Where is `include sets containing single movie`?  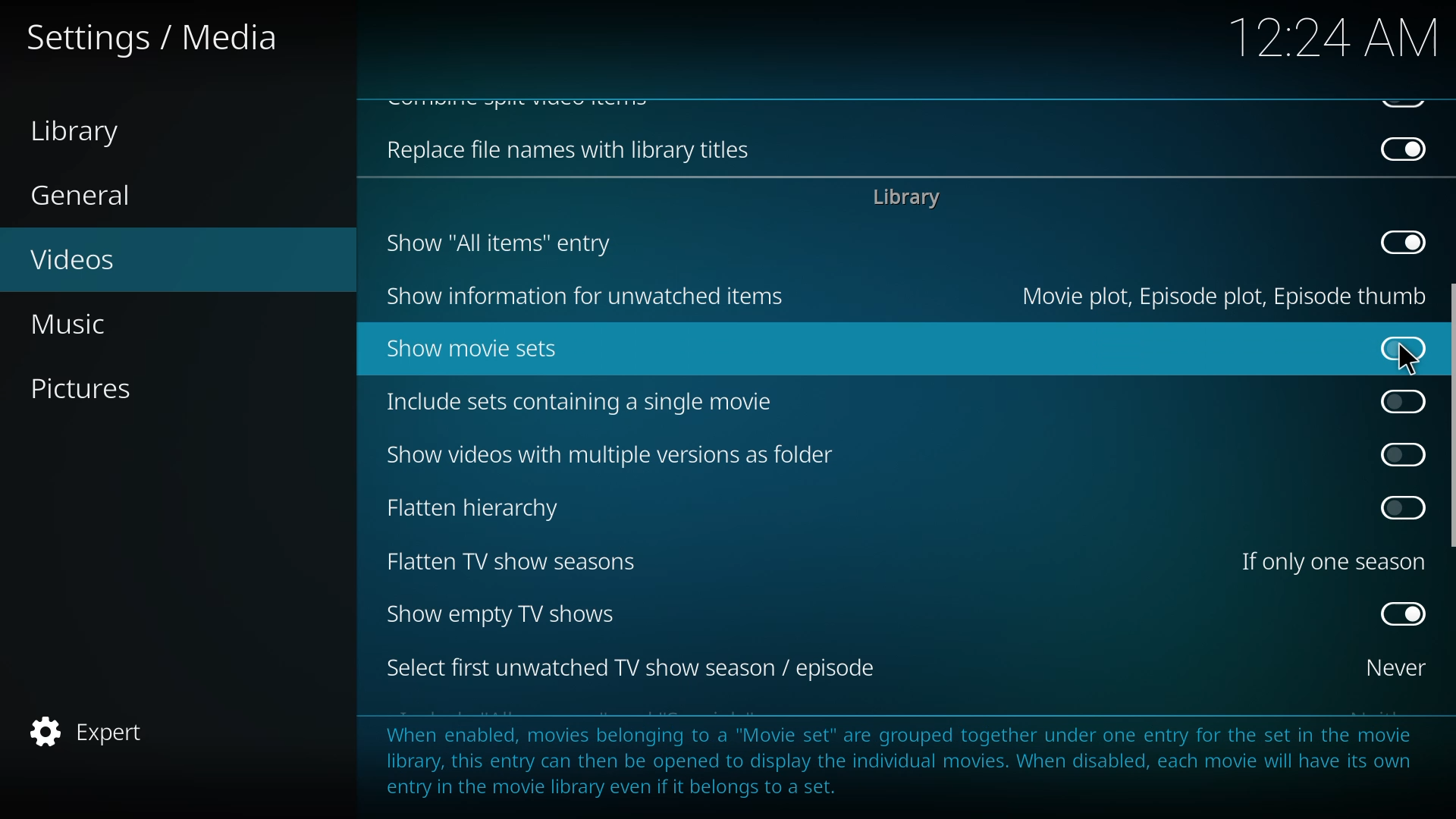
include sets containing single movie is located at coordinates (570, 403).